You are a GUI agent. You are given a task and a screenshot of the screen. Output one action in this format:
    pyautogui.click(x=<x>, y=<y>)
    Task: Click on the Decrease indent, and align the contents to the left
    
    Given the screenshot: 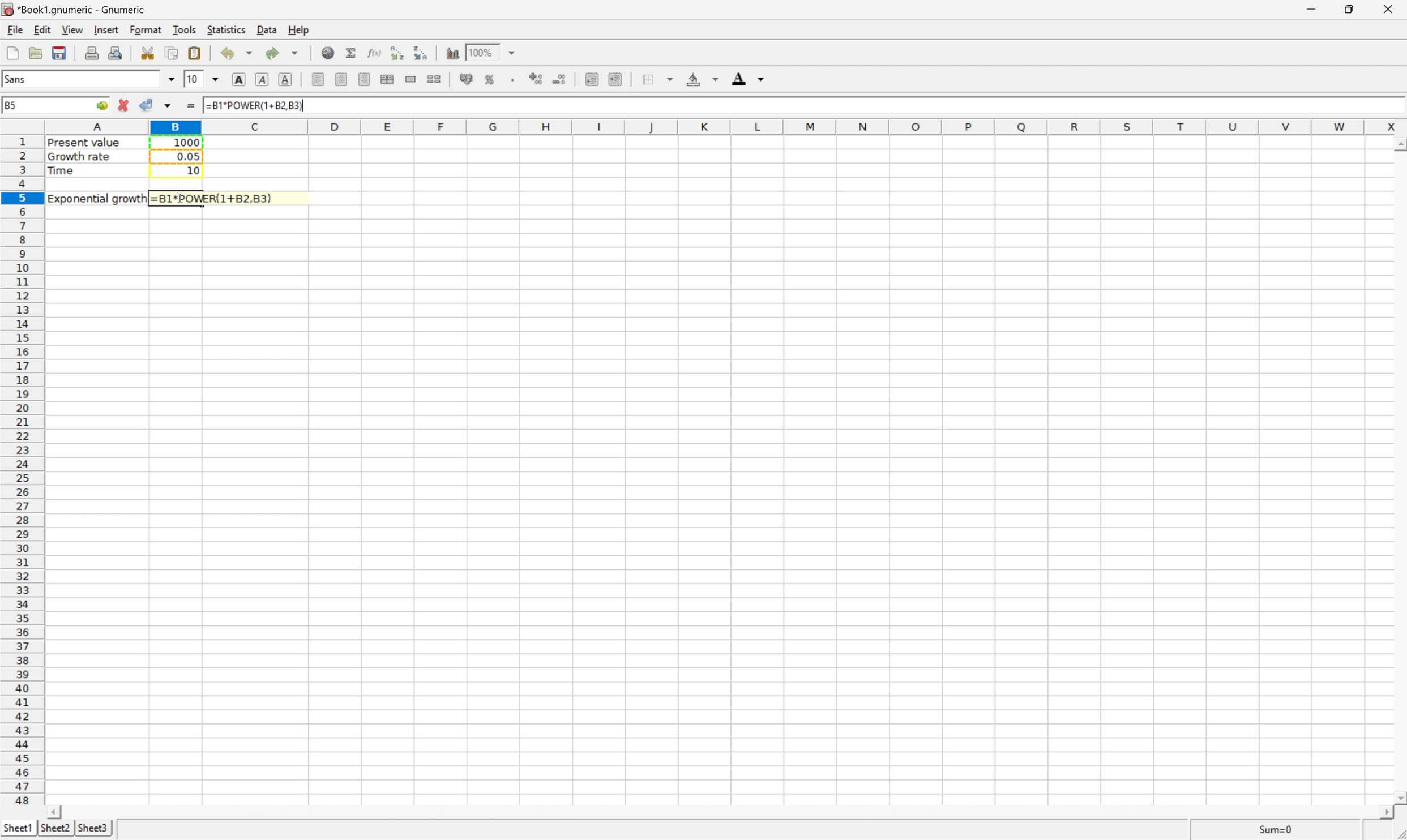 What is the action you would take?
    pyautogui.click(x=592, y=78)
    